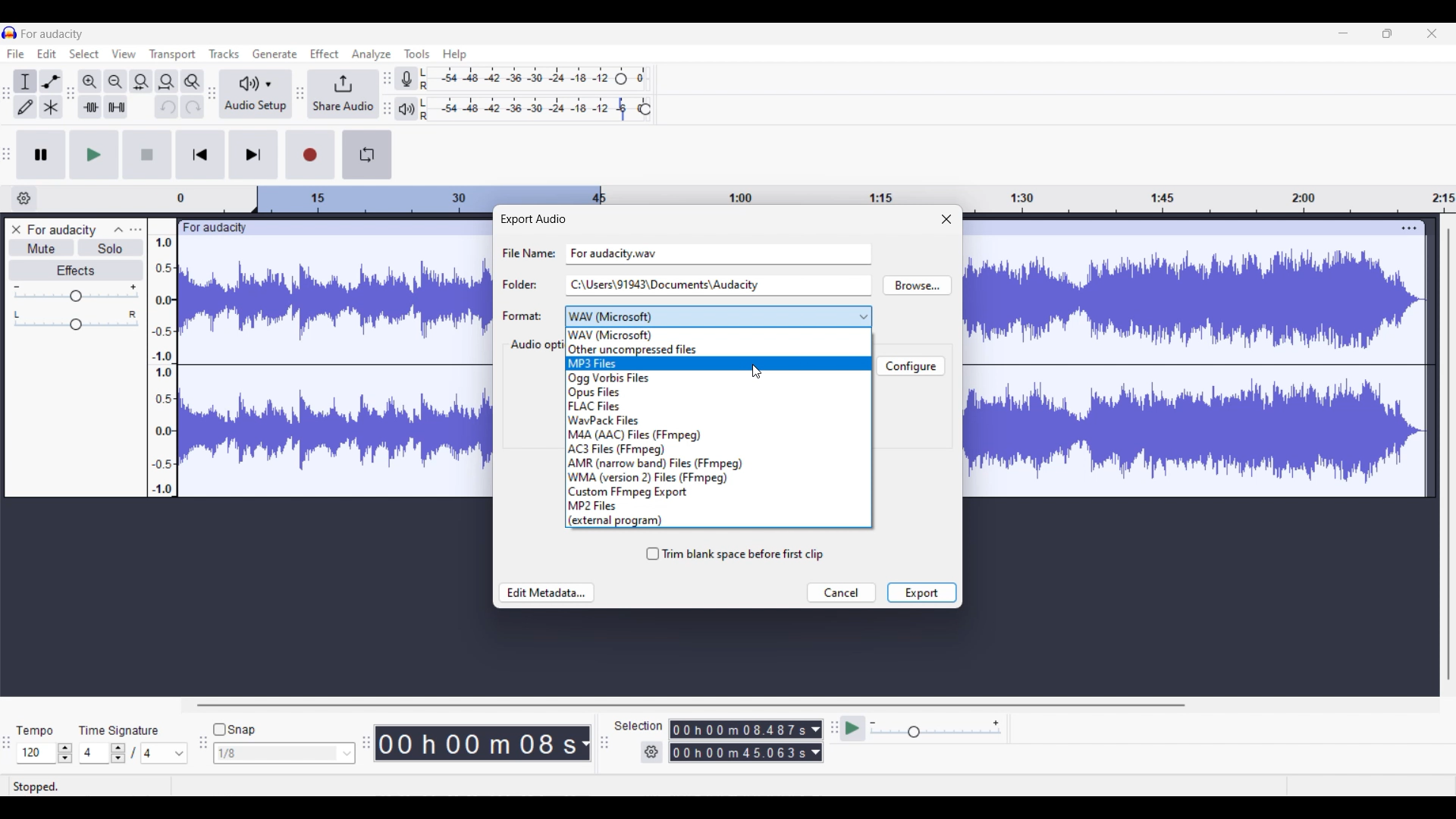 This screenshot has height=819, width=1456. Describe the element at coordinates (1181, 359) in the screenshot. I see `Current track` at that location.